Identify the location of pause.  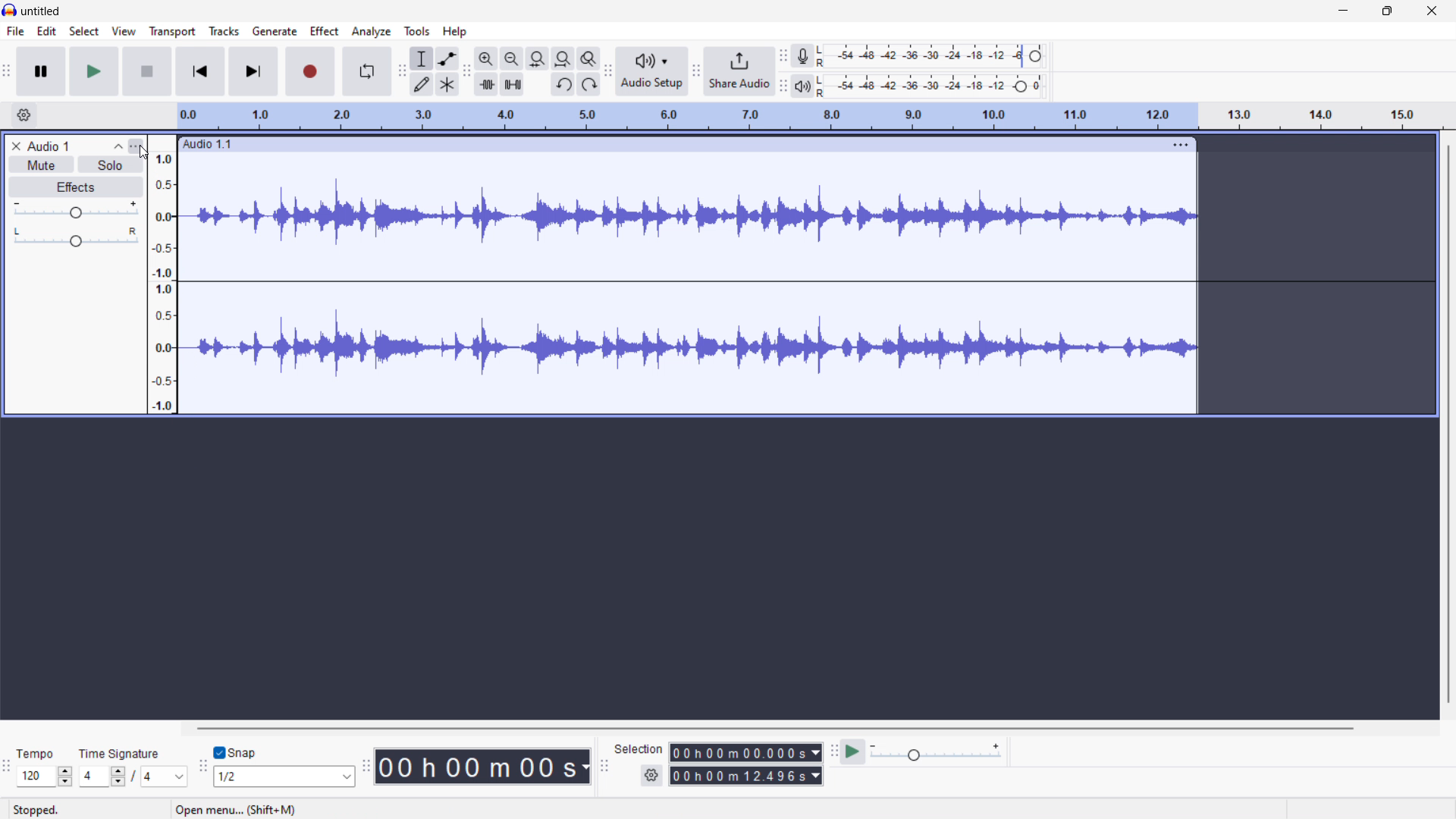
(41, 71).